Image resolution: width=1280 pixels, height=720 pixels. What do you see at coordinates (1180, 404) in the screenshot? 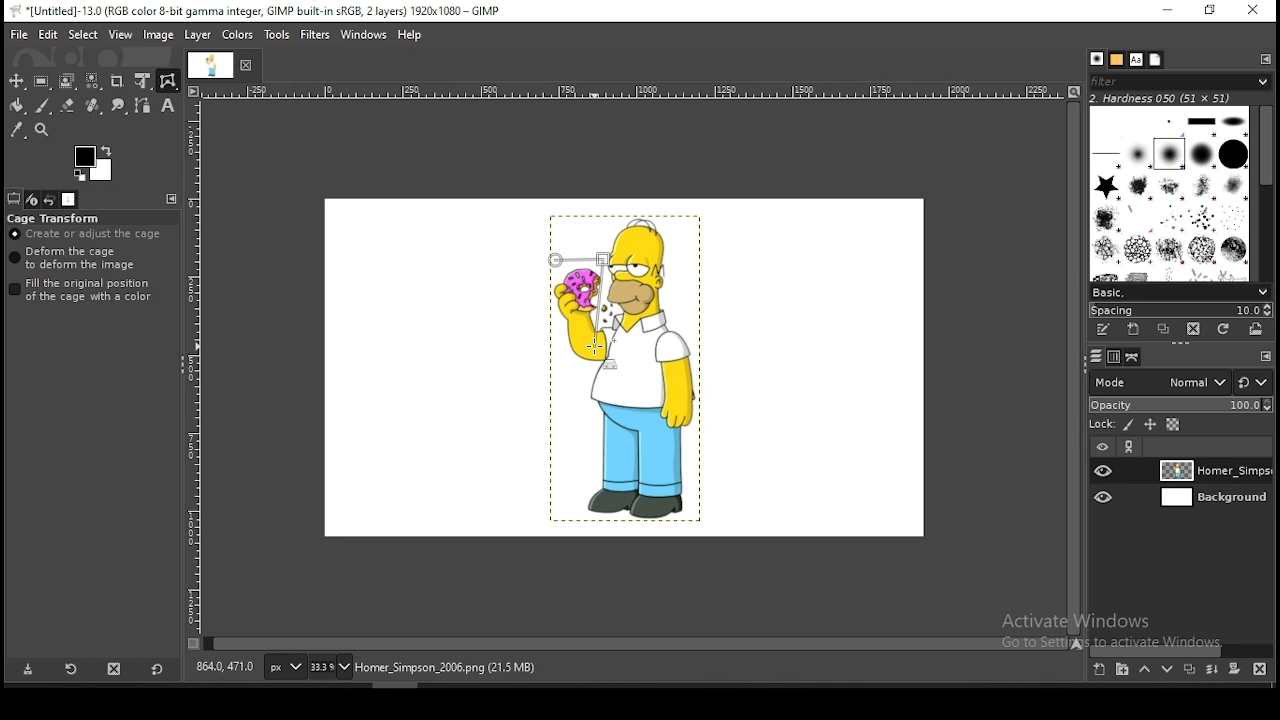
I see `opacity` at bounding box center [1180, 404].